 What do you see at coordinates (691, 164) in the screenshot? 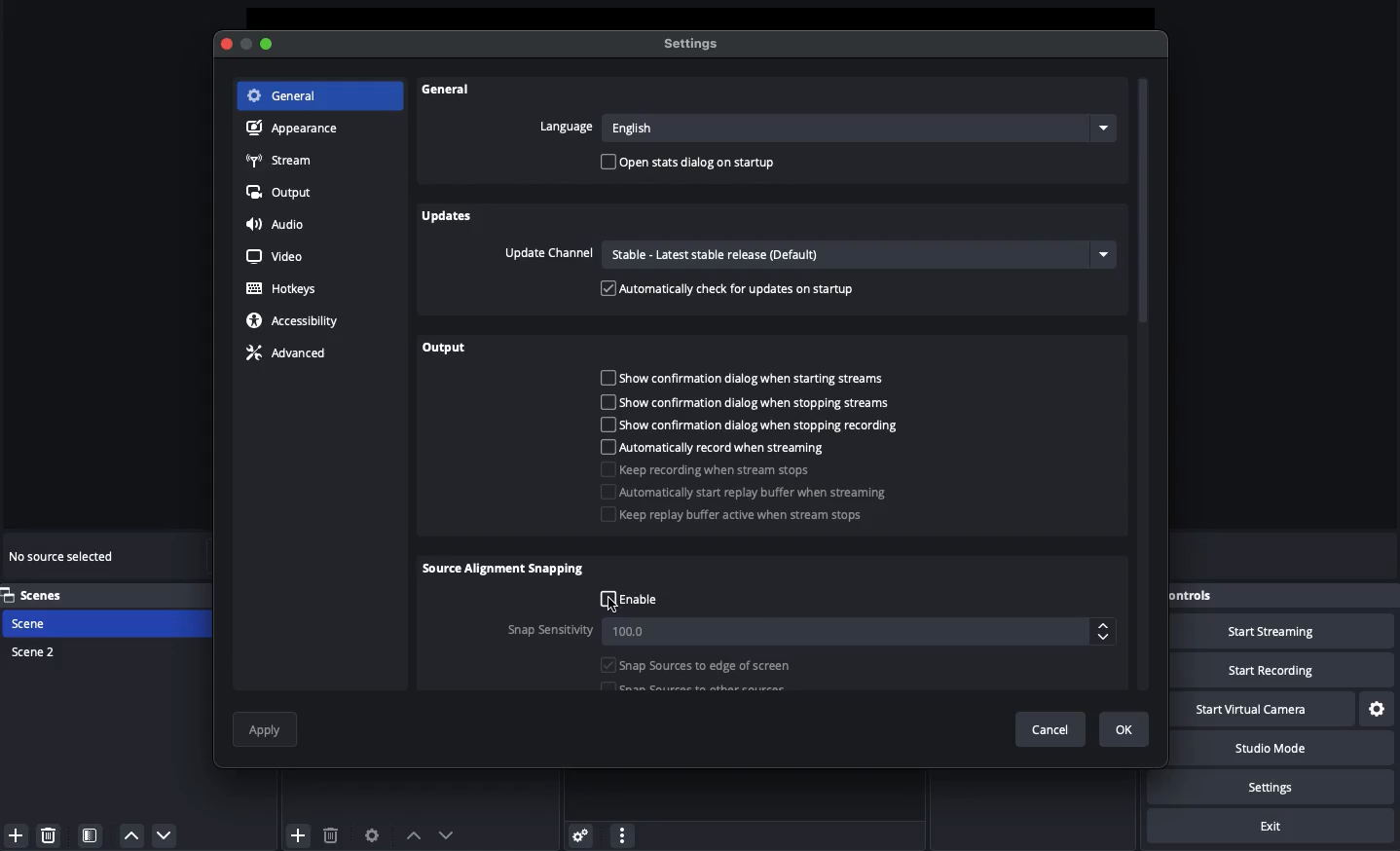
I see `Open status dialog on startup` at bounding box center [691, 164].